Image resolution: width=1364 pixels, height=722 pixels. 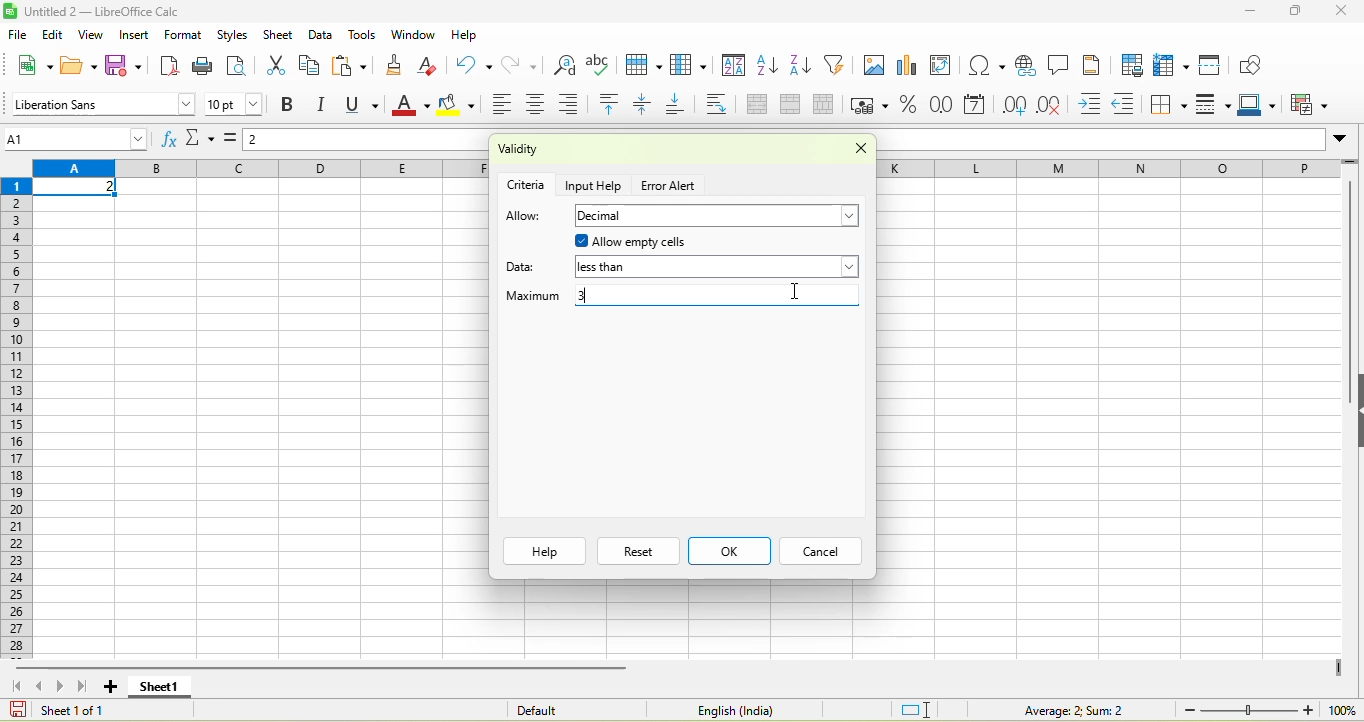 I want to click on file, so click(x=16, y=34).